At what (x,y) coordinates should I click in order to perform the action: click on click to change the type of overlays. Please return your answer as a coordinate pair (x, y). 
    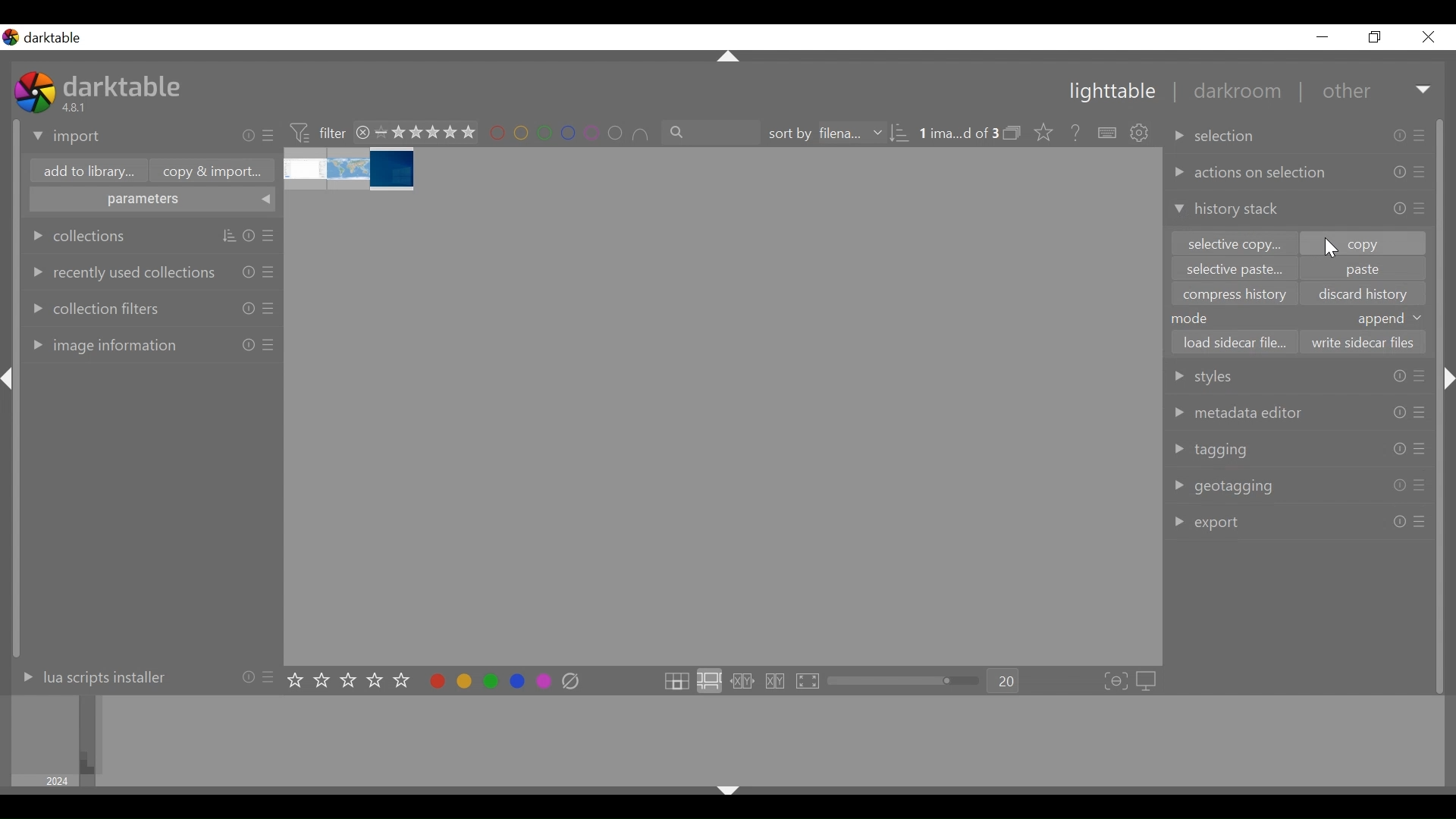
    Looking at the image, I should click on (1040, 131).